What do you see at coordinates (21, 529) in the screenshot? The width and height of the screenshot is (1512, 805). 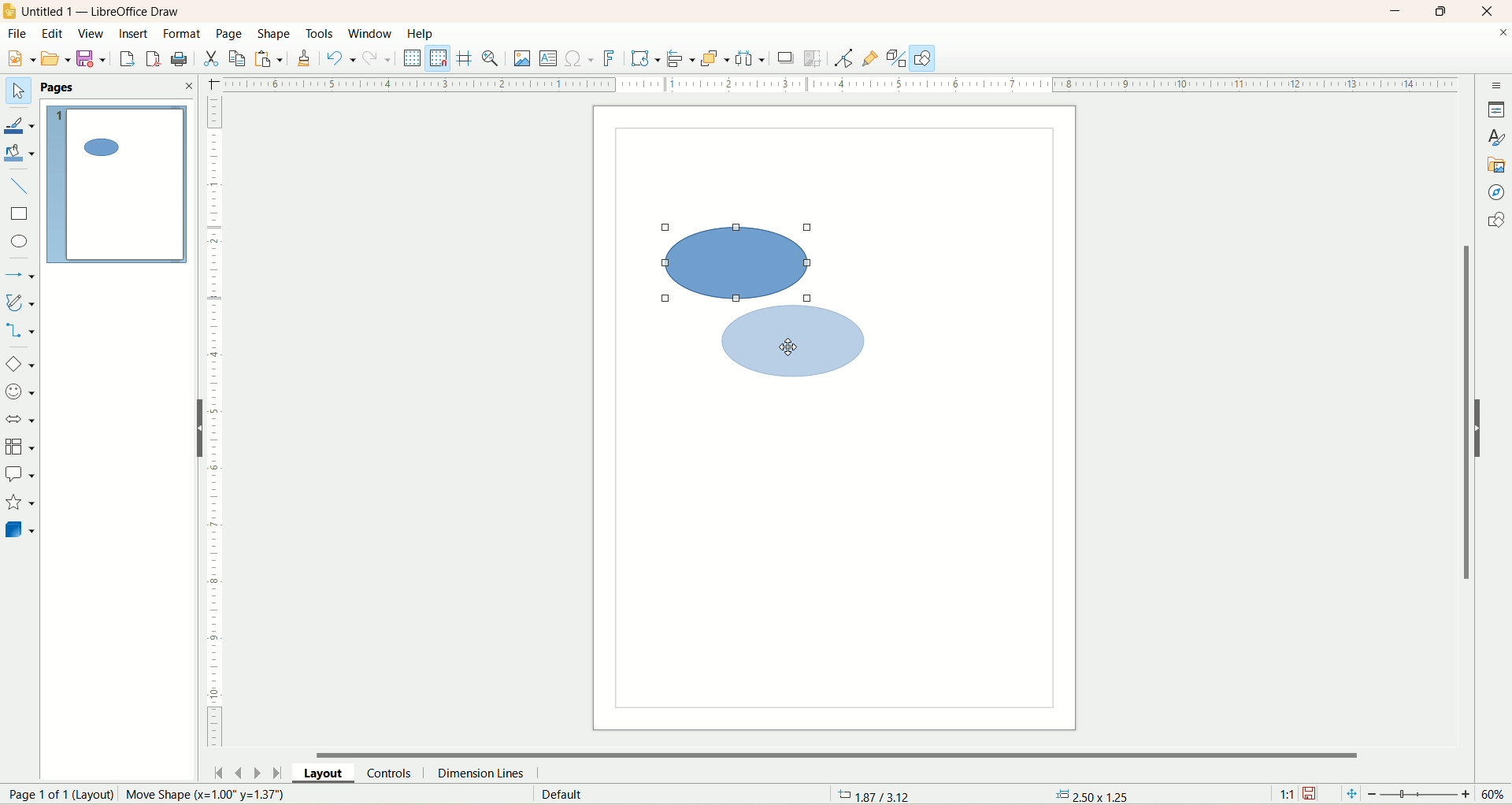 I see `3D shapes` at bounding box center [21, 529].